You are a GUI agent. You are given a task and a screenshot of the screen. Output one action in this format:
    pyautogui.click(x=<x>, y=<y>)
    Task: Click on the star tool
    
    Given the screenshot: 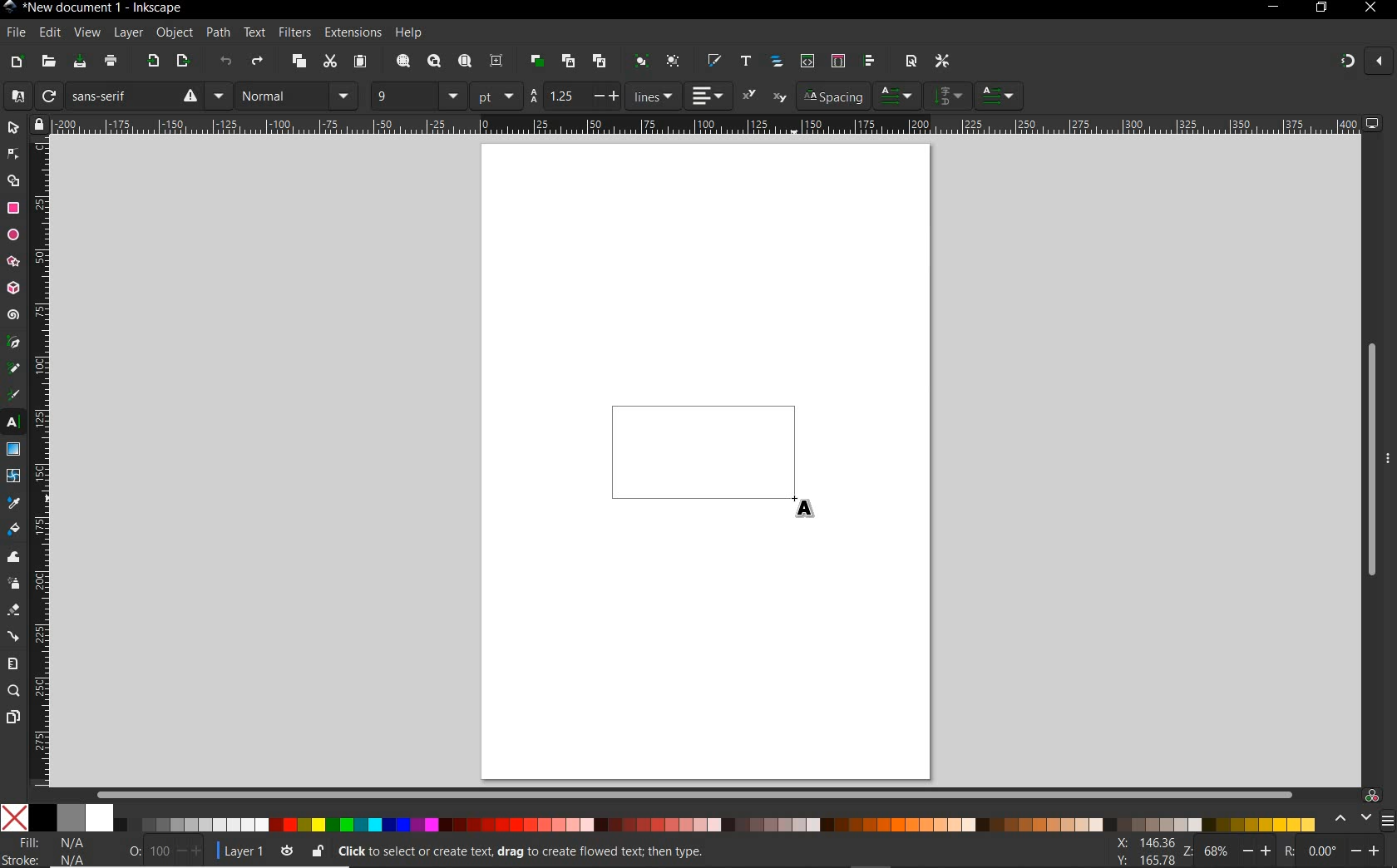 What is the action you would take?
    pyautogui.click(x=13, y=263)
    